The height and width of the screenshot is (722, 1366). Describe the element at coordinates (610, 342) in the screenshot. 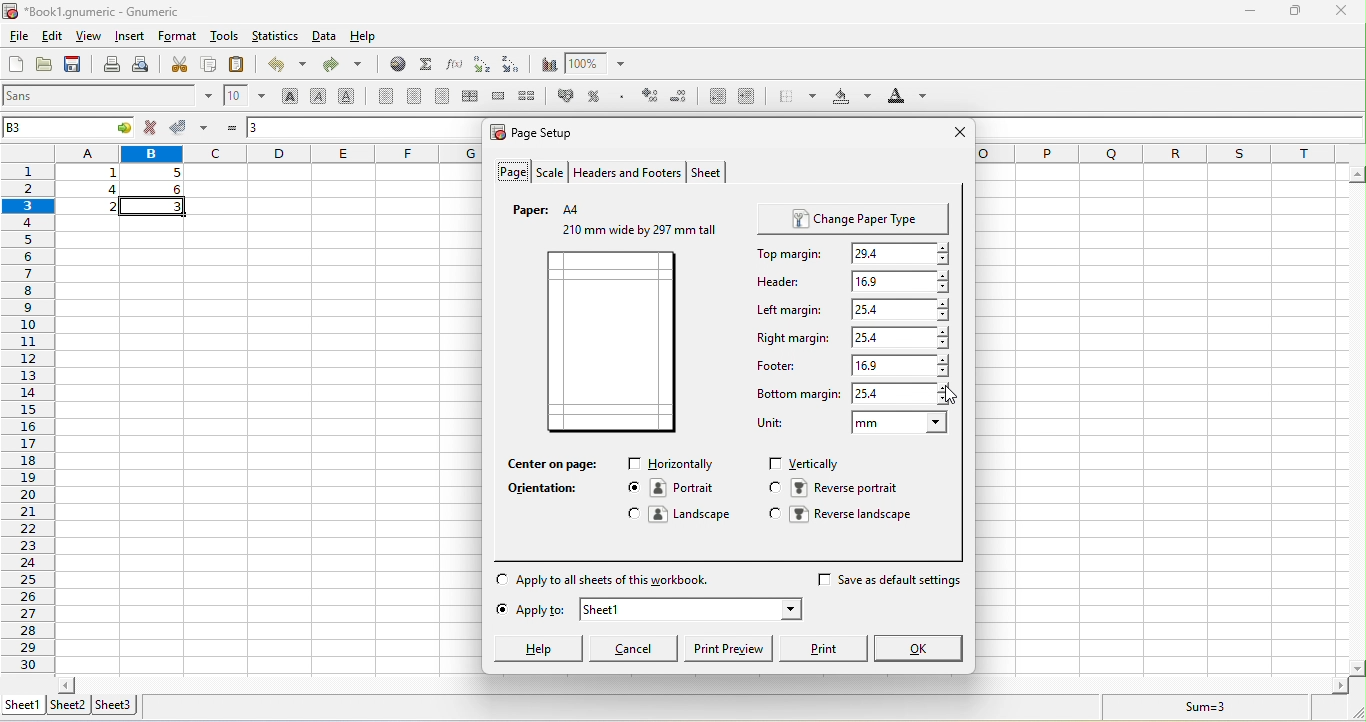

I see `current page preview` at that location.